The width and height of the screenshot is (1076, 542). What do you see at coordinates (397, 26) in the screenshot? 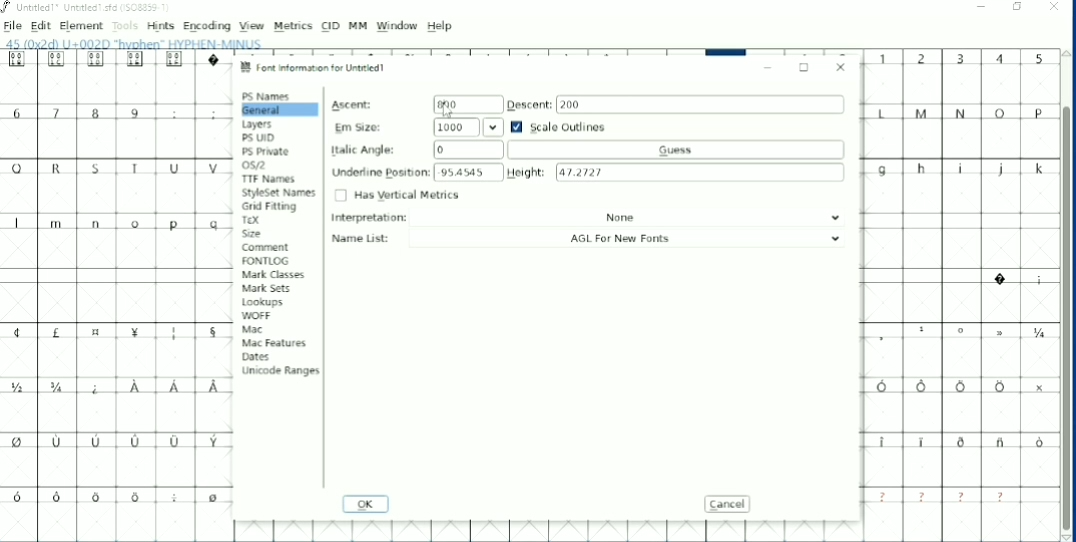
I see `Window` at bounding box center [397, 26].